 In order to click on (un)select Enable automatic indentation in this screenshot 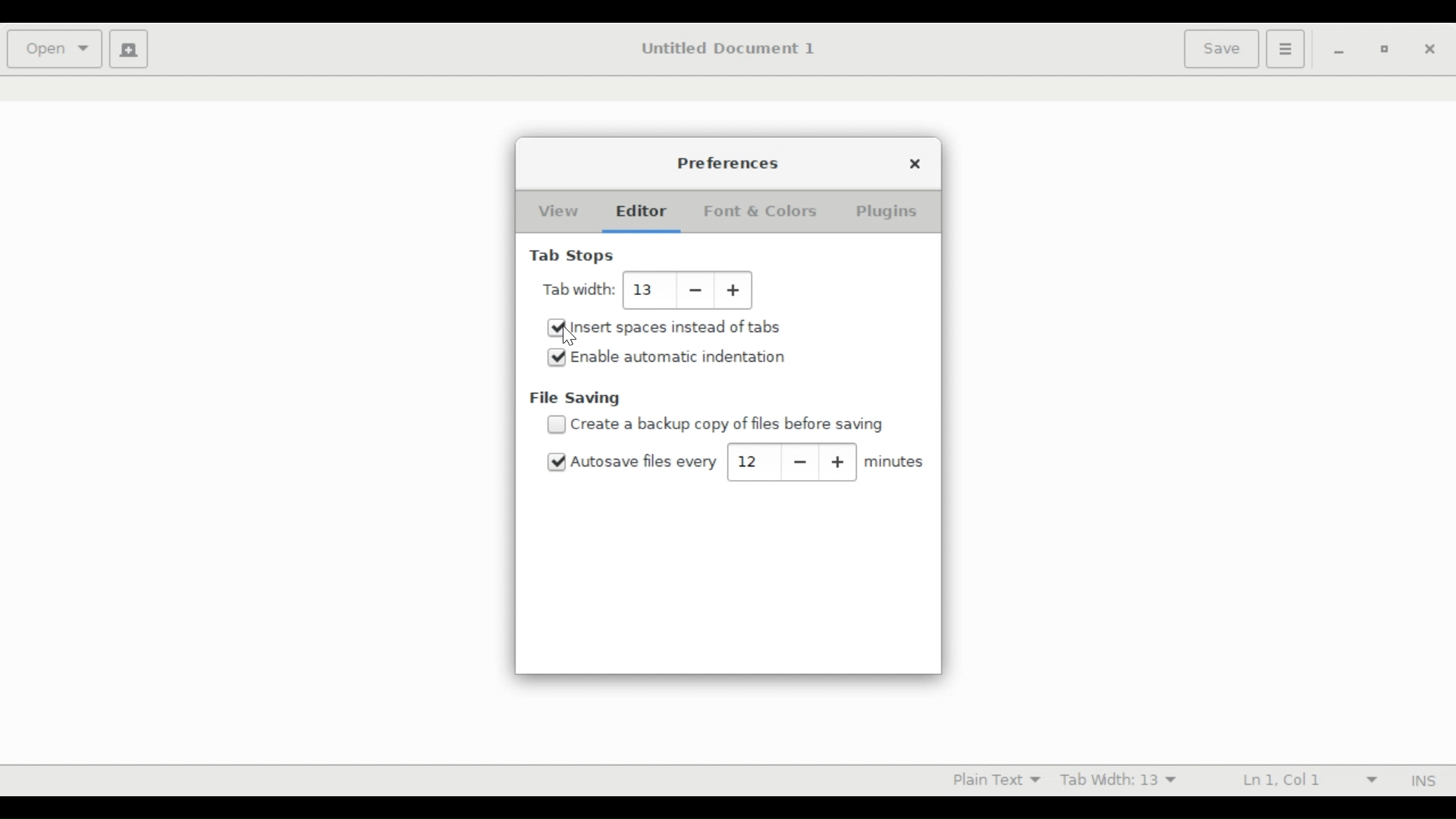, I will do `click(679, 356)`.